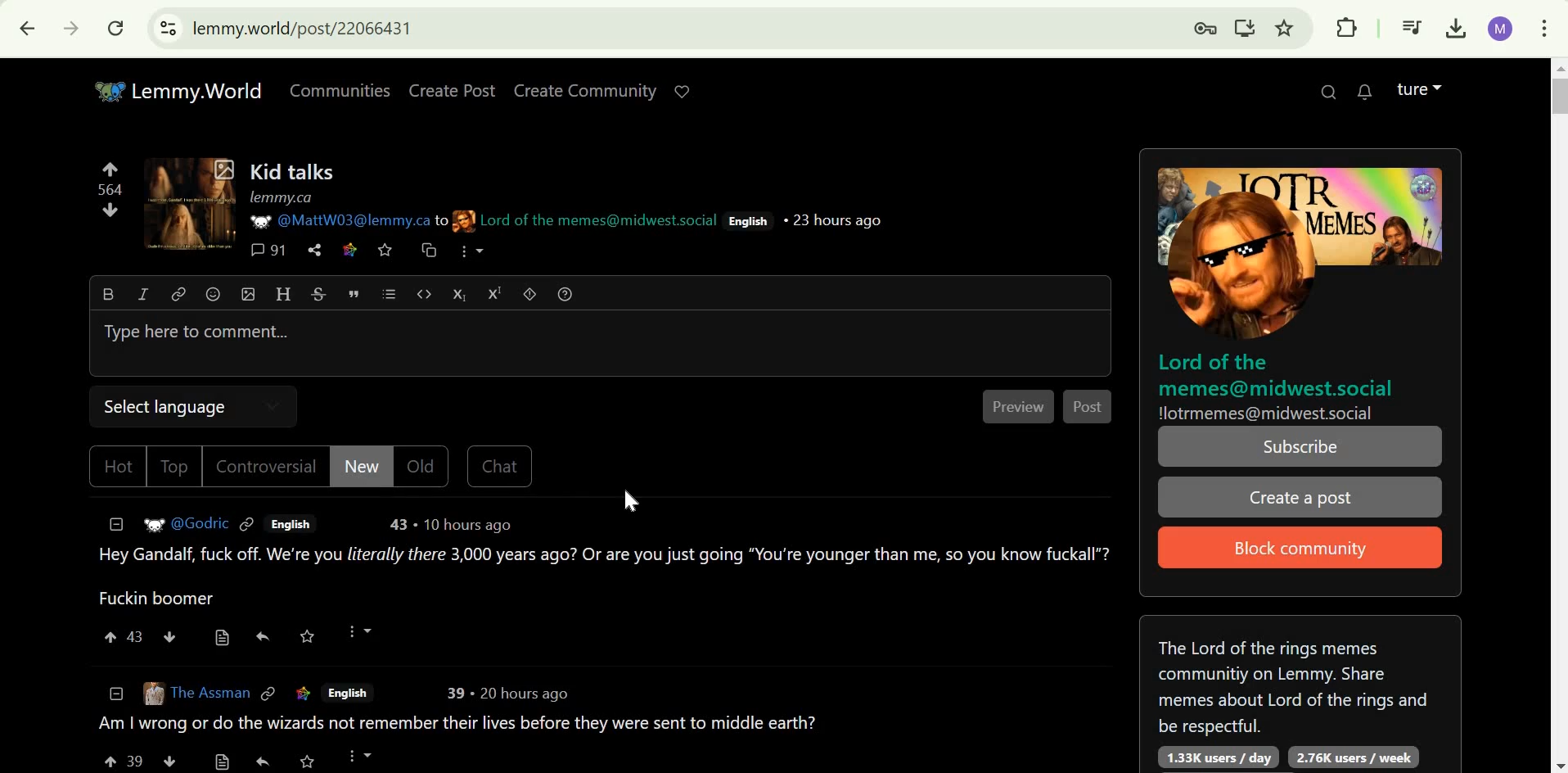 Image resolution: width=1568 pixels, height=773 pixels. Describe the element at coordinates (313, 251) in the screenshot. I see `share` at that location.